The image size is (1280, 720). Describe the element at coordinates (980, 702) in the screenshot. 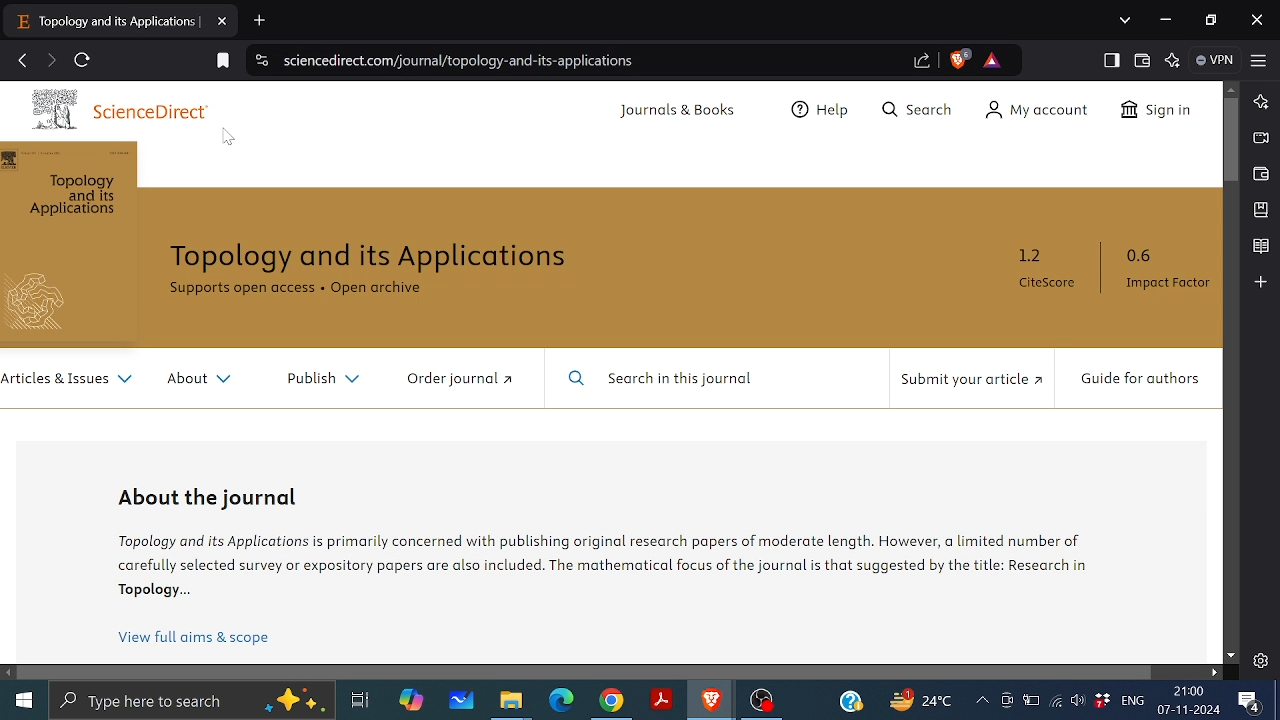

I see `` at that location.